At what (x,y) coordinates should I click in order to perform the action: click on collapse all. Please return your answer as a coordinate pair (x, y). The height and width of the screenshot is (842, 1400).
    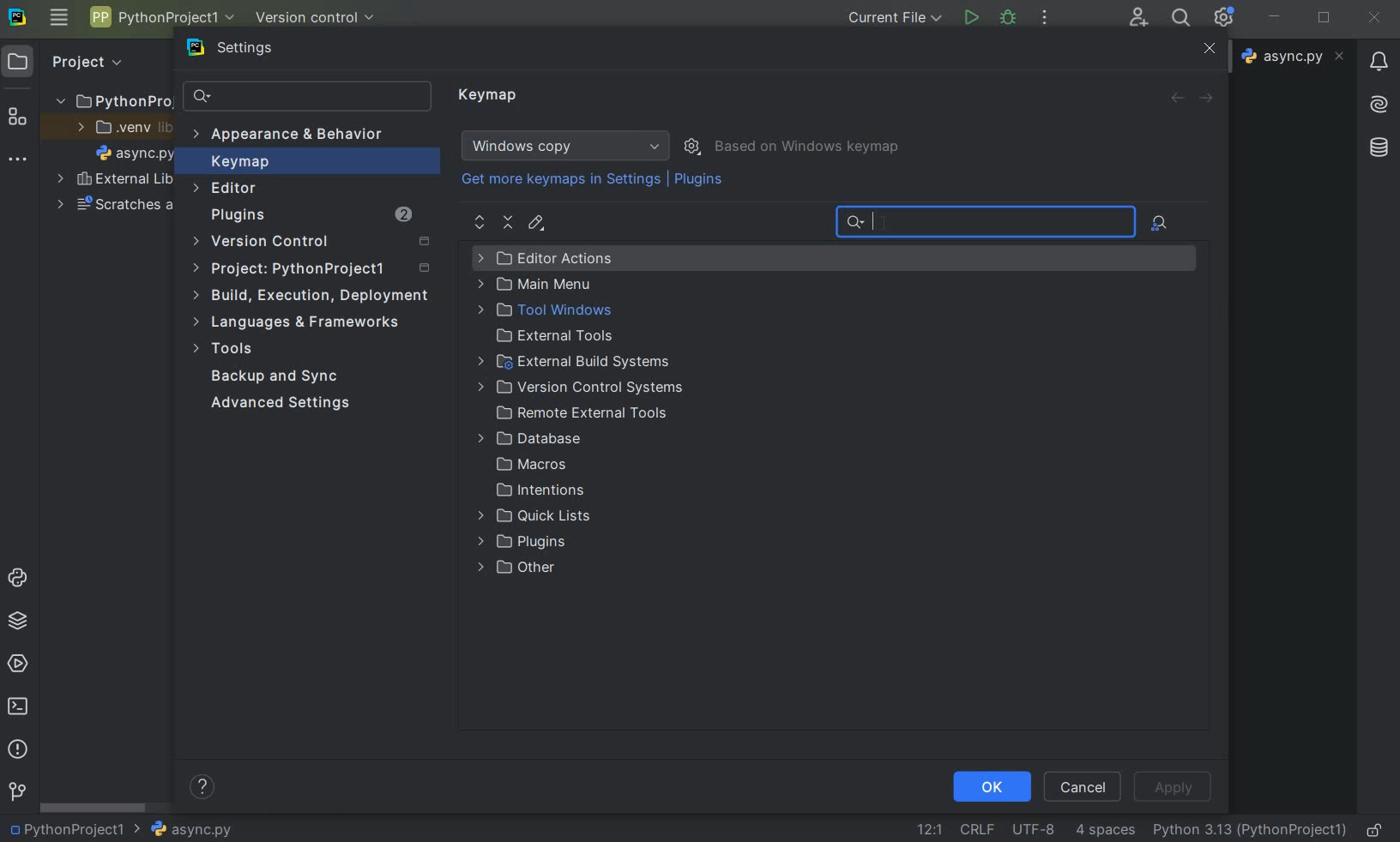
    Looking at the image, I should click on (509, 223).